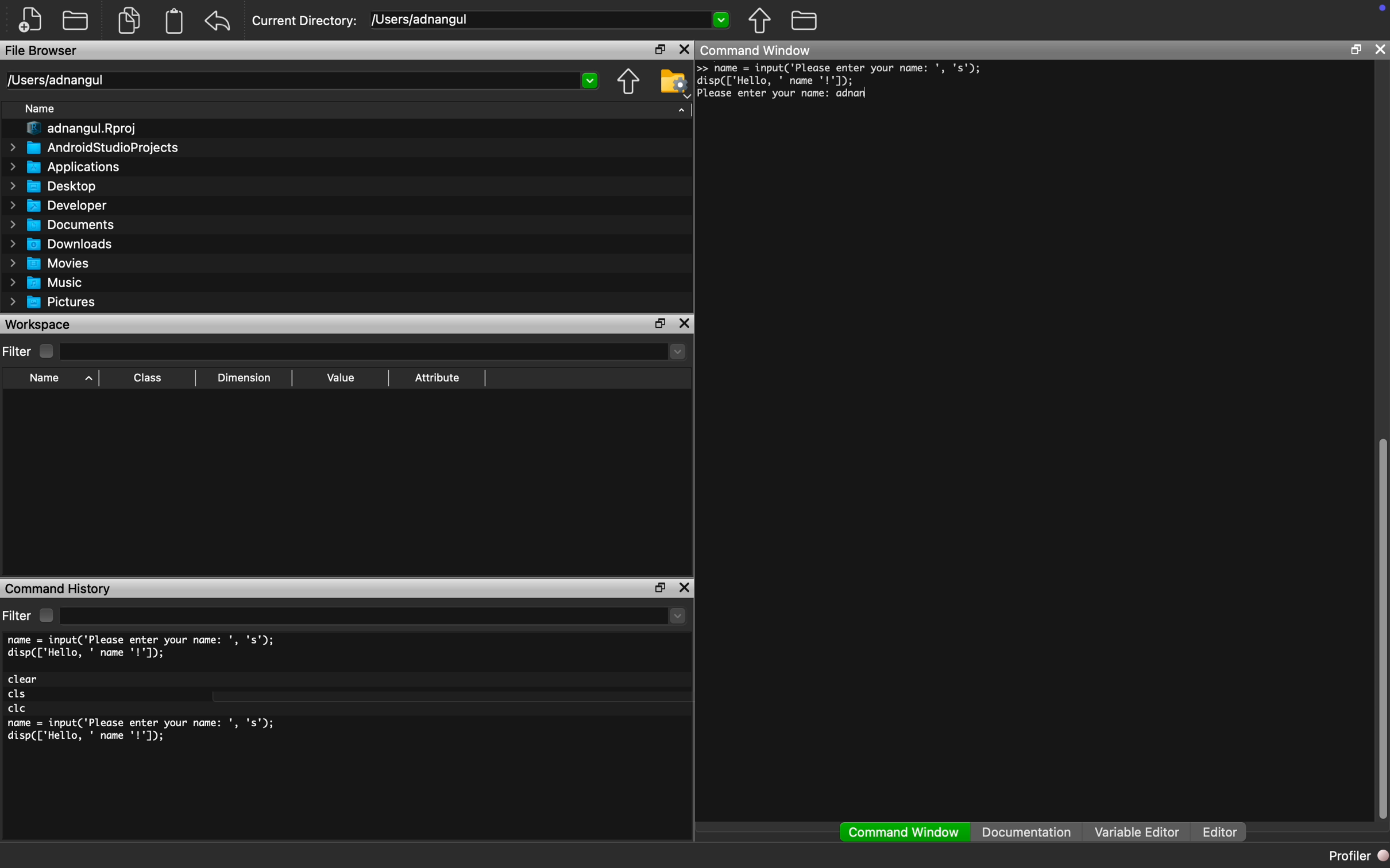  Describe the element at coordinates (674, 83) in the screenshot. I see `Folder settings` at that location.